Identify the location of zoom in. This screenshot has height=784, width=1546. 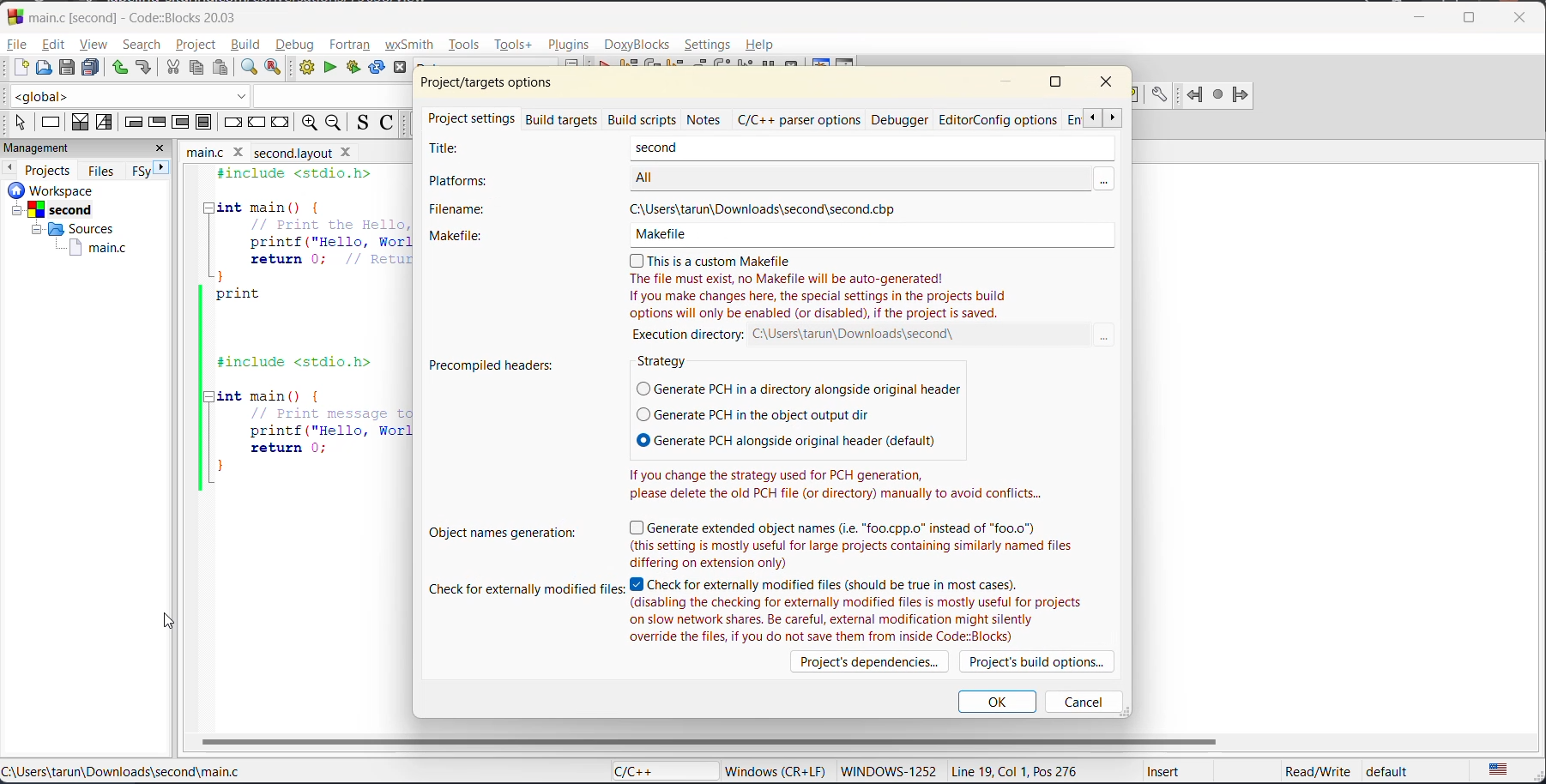
(308, 122).